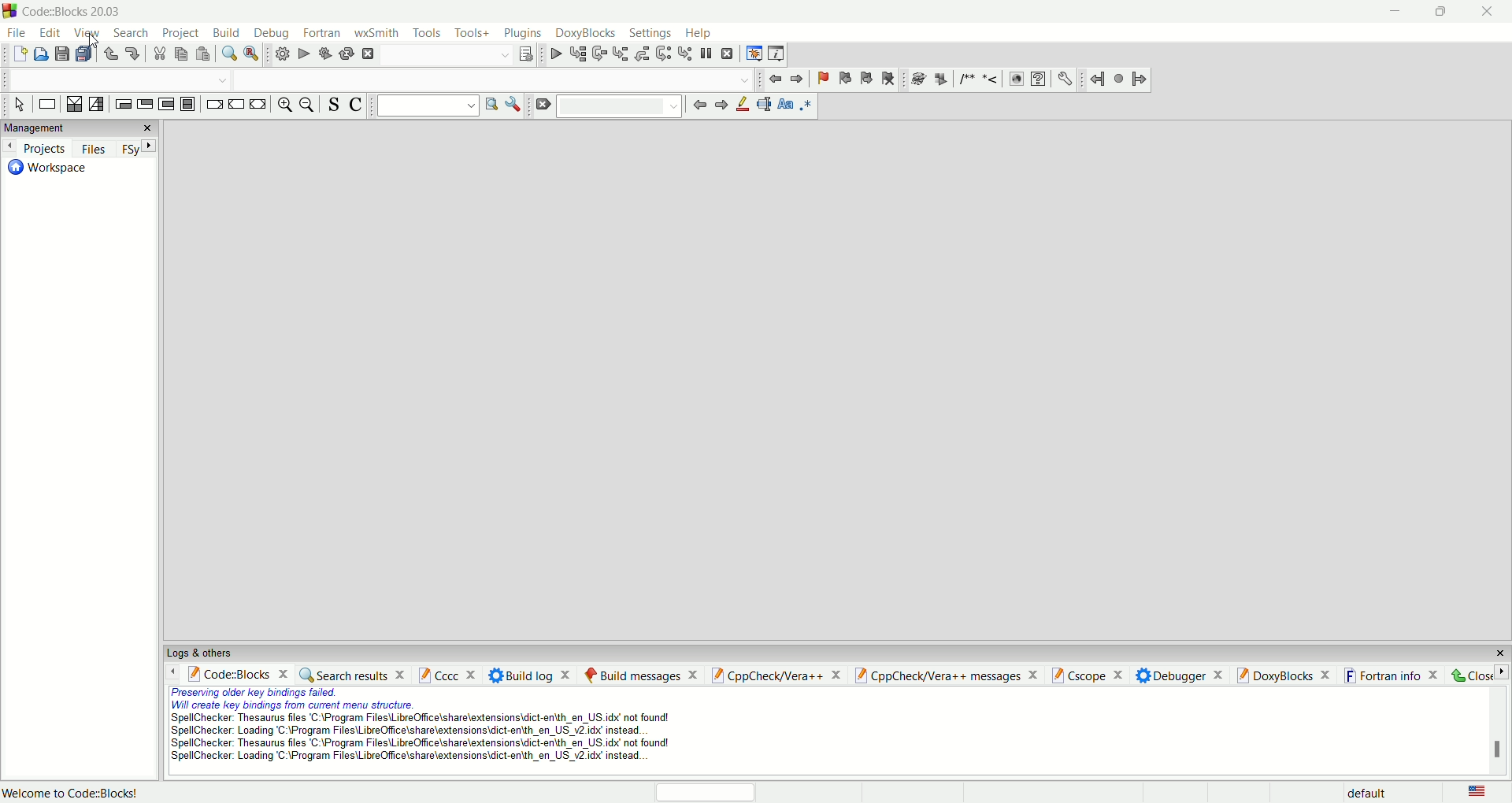  What do you see at coordinates (699, 105) in the screenshot?
I see `previous` at bounding box center [699, 105].